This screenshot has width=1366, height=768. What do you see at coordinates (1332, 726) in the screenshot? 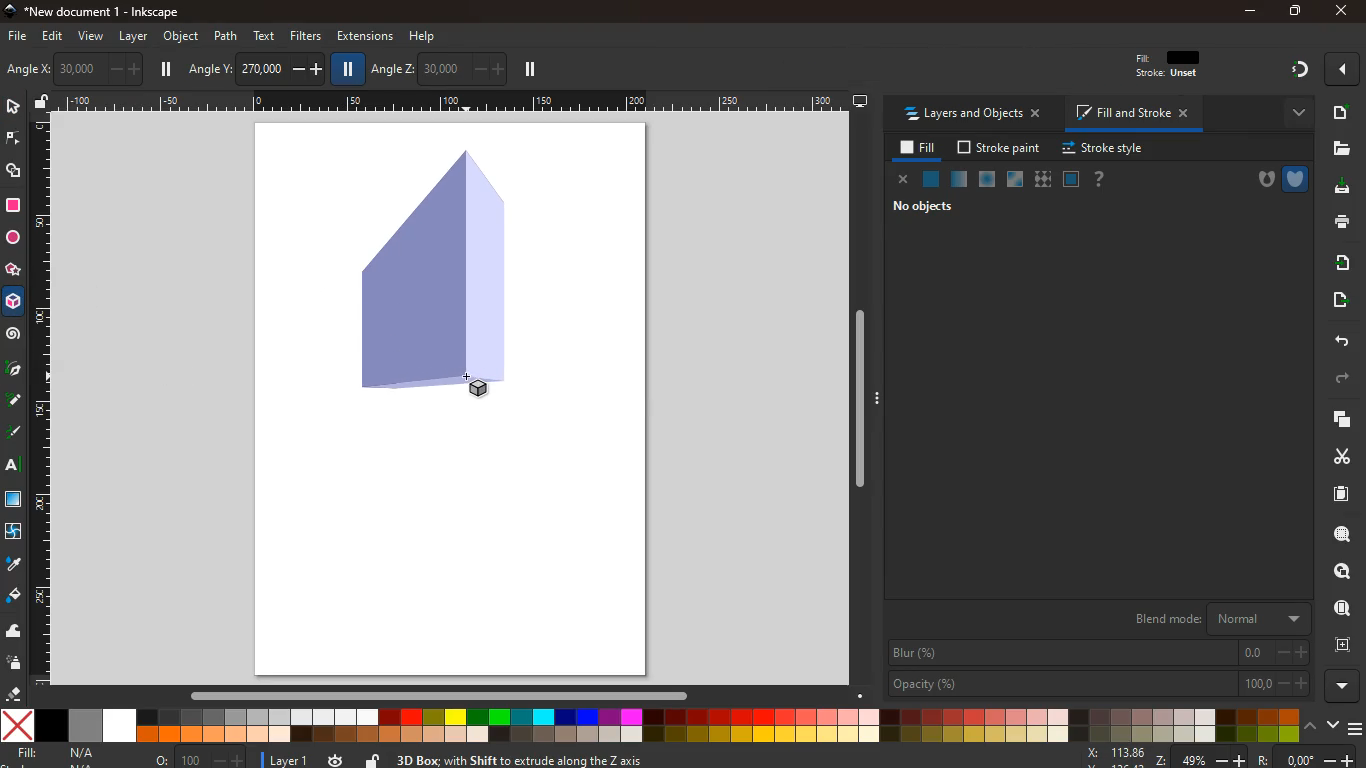
I see `down` at bounding box center [1332, 726].